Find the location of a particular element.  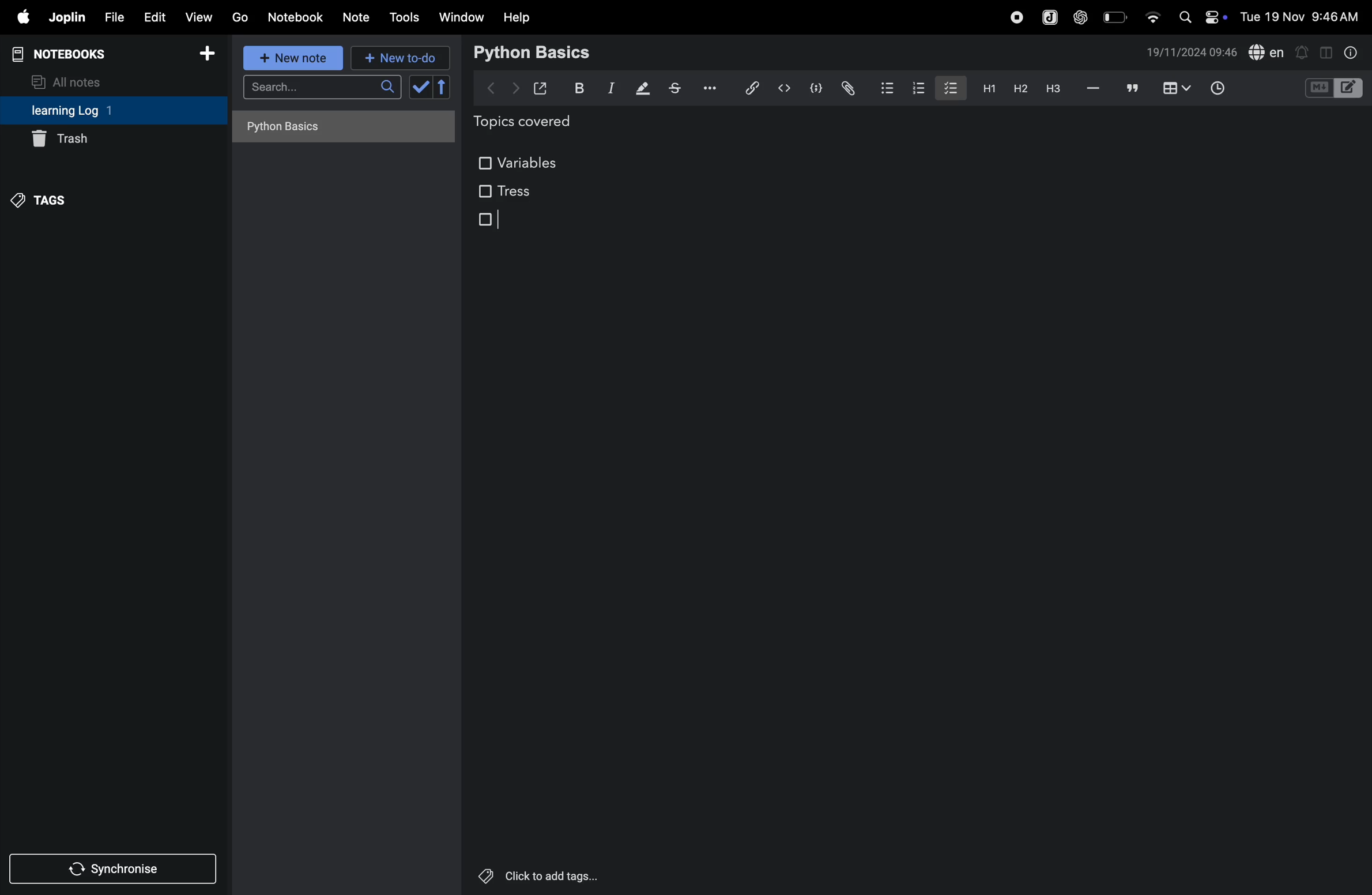

checkbox is located at coordinates (489, 220).